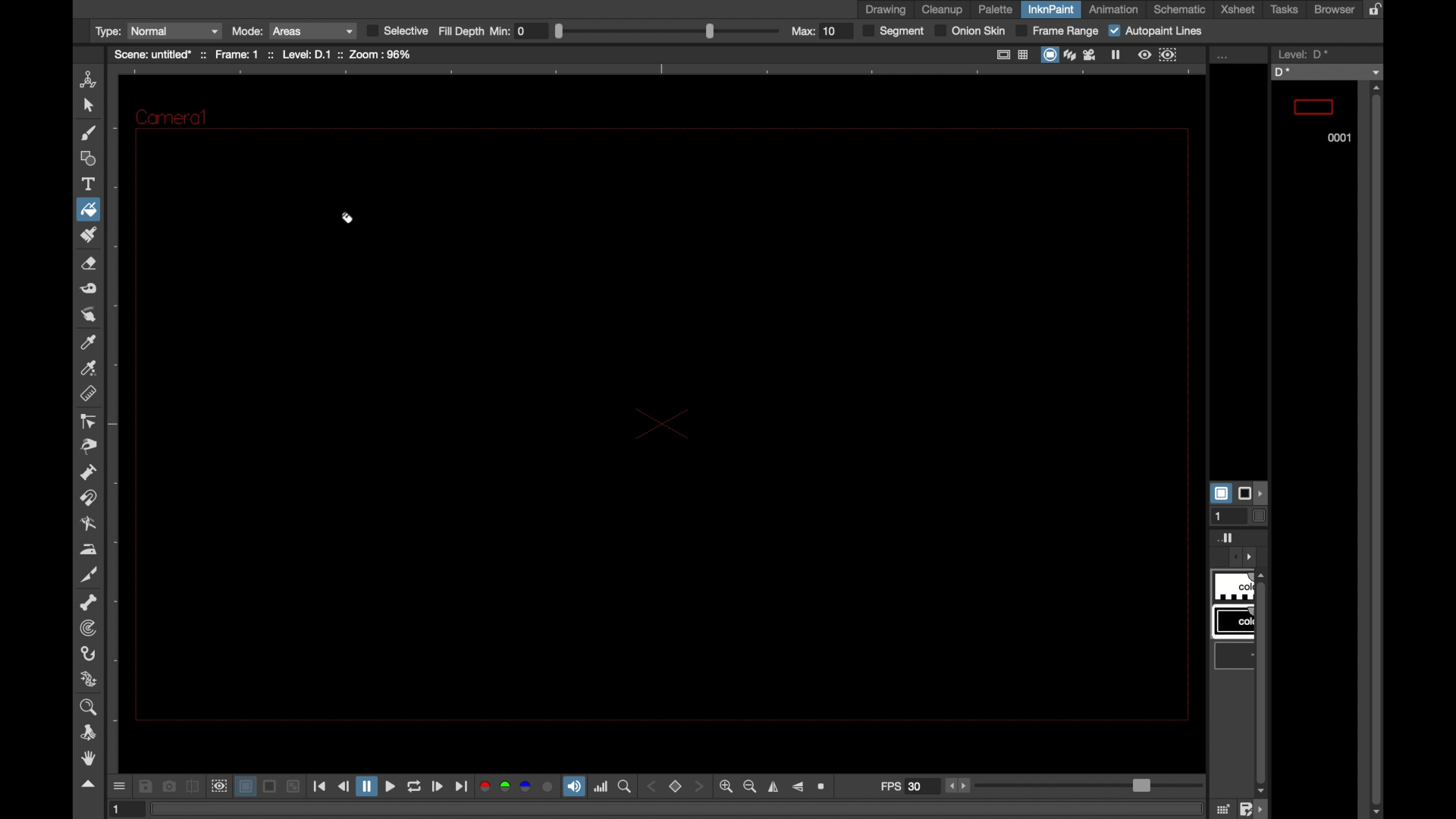 The height and width of the screenshot is (819, 1456). Describe the element at coordinates (398, 31) in the screenshot. I see `Selective` at that location.